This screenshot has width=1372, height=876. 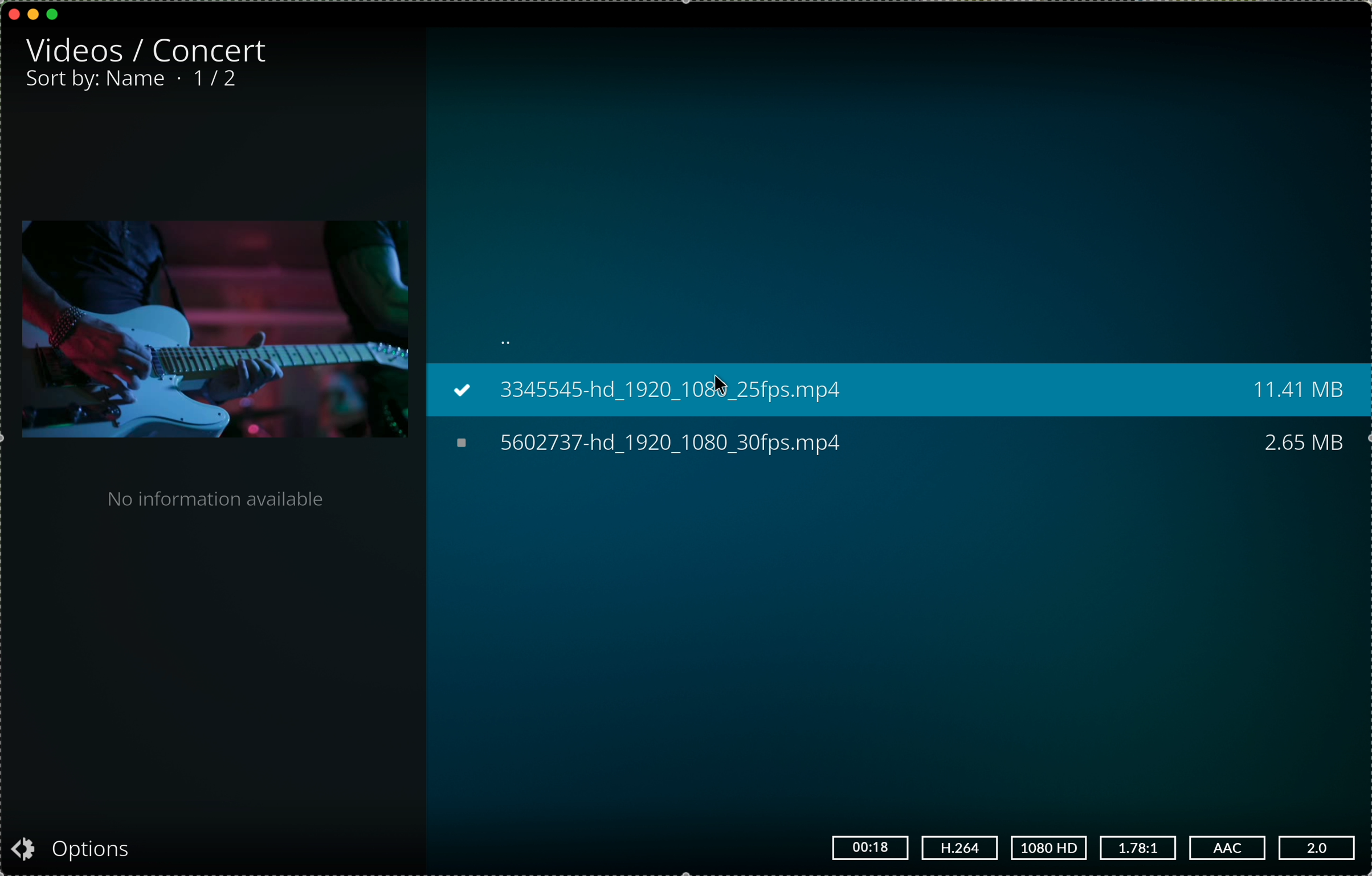 What do you see at coordinates (1319, 848) in the screenshot?
I see `2.0` at bounding box center [1319, 848].